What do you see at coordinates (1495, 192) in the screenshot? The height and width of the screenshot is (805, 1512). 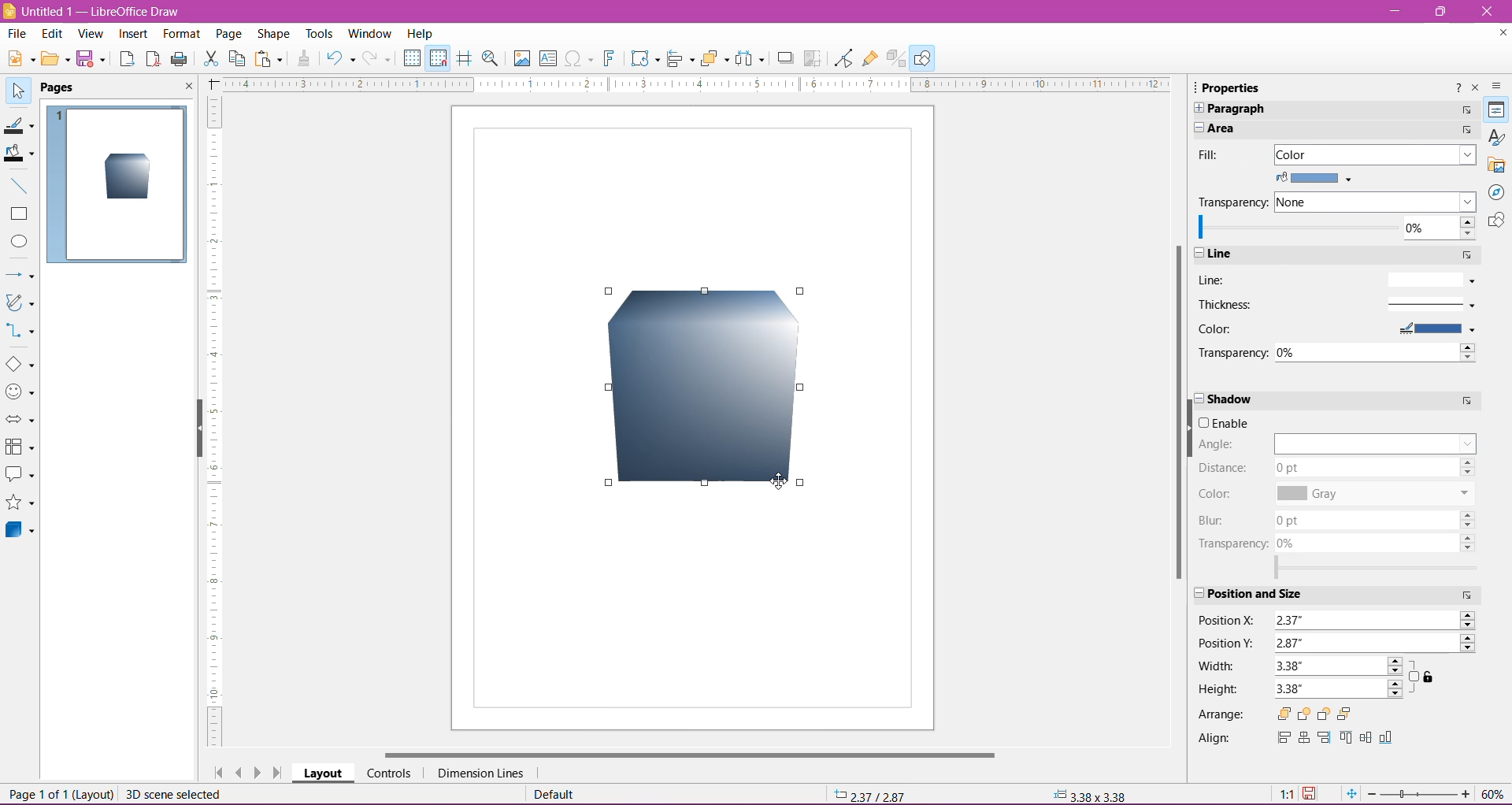 I see `Navigator` at bounding box center [1495, 192].